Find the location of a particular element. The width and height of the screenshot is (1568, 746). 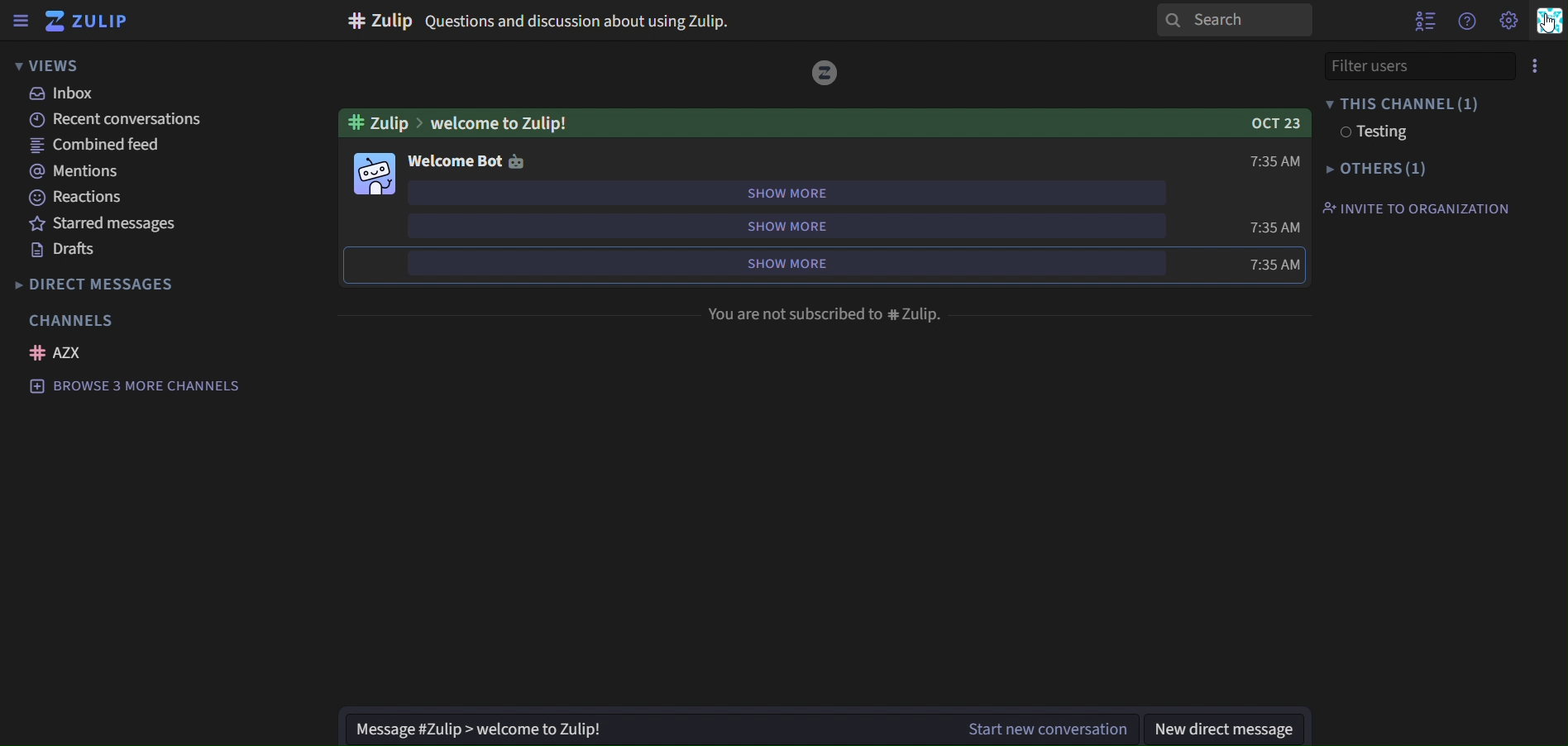

testing is located at coordinates (1371, 134).